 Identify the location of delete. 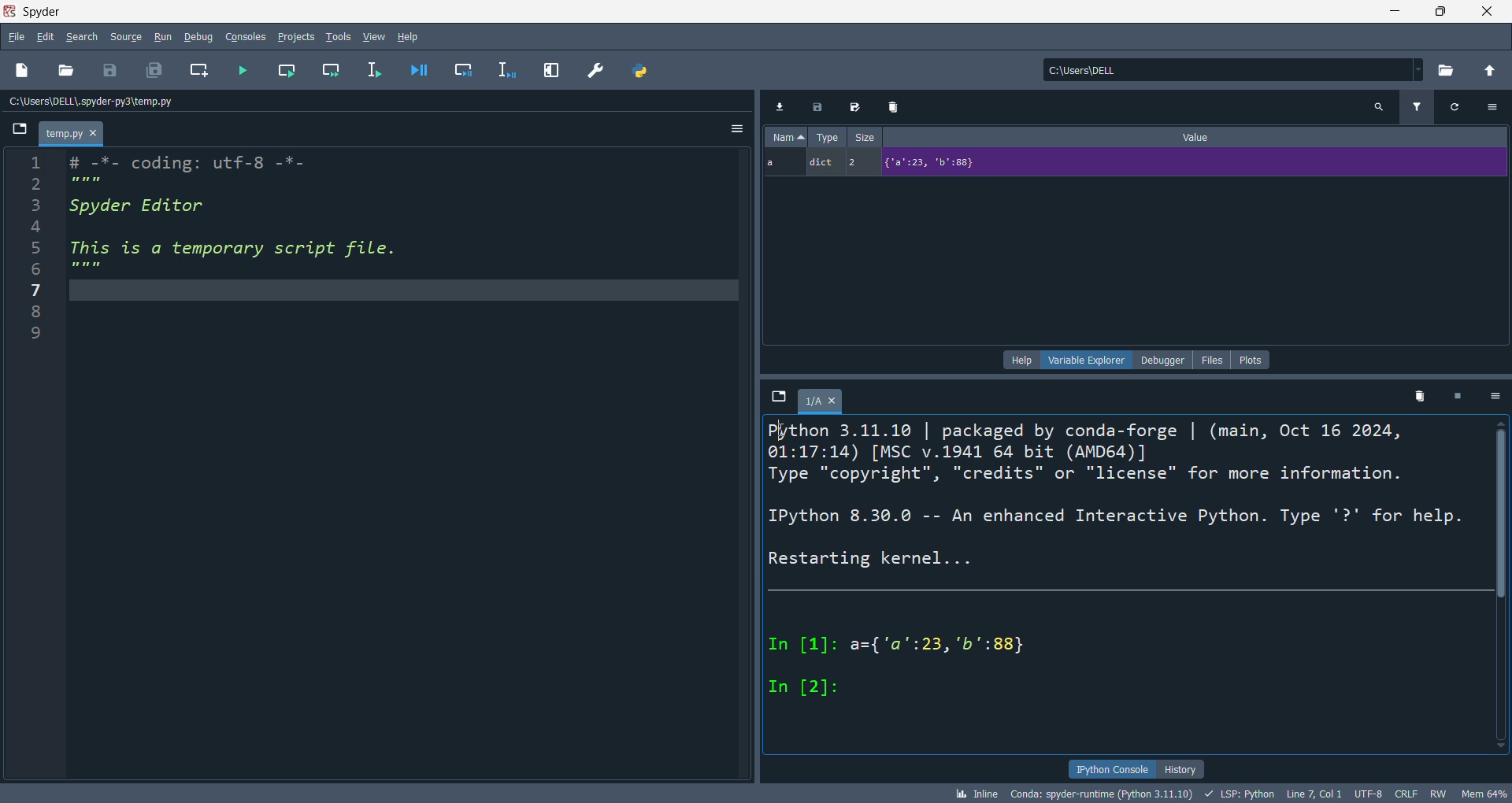
(1419, 394).